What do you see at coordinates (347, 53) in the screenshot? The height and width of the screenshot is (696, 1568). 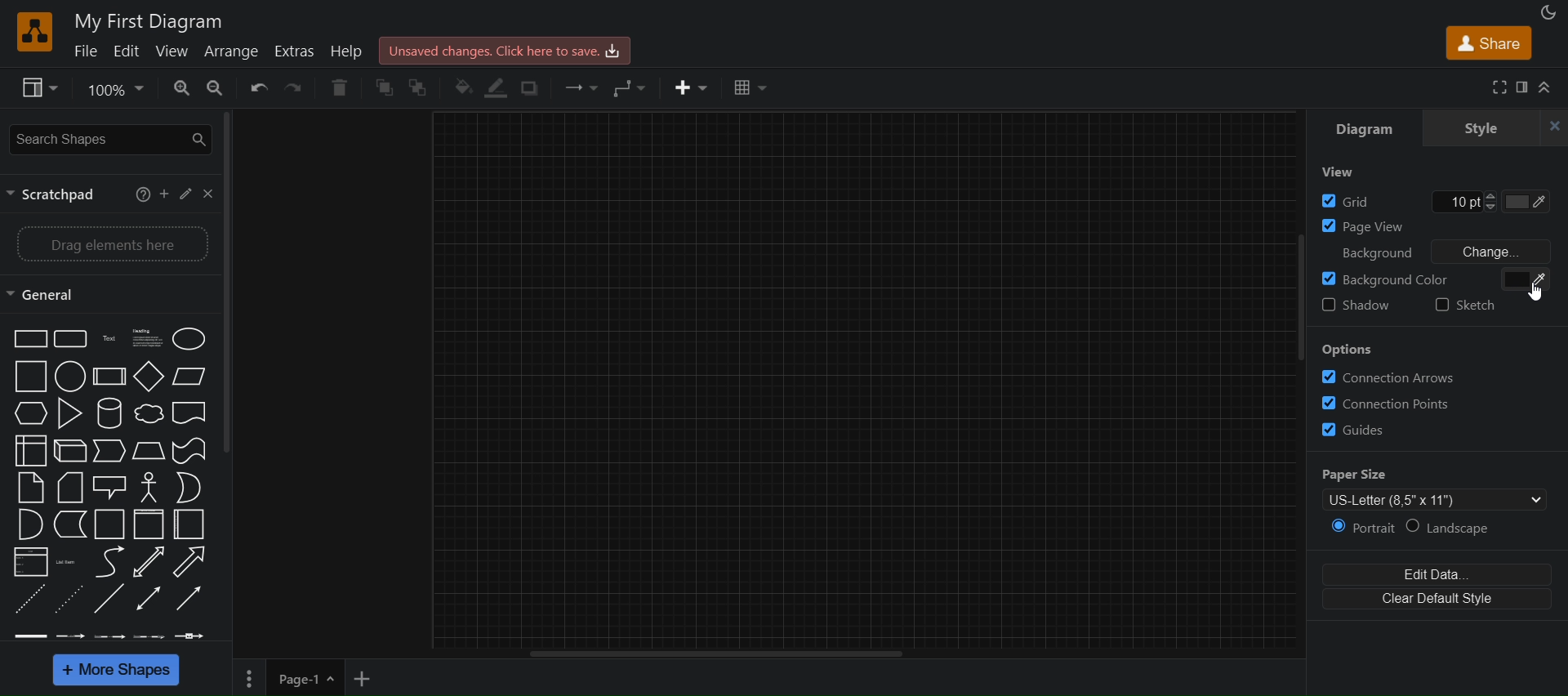 I see `` at bounding box center [347, 53].